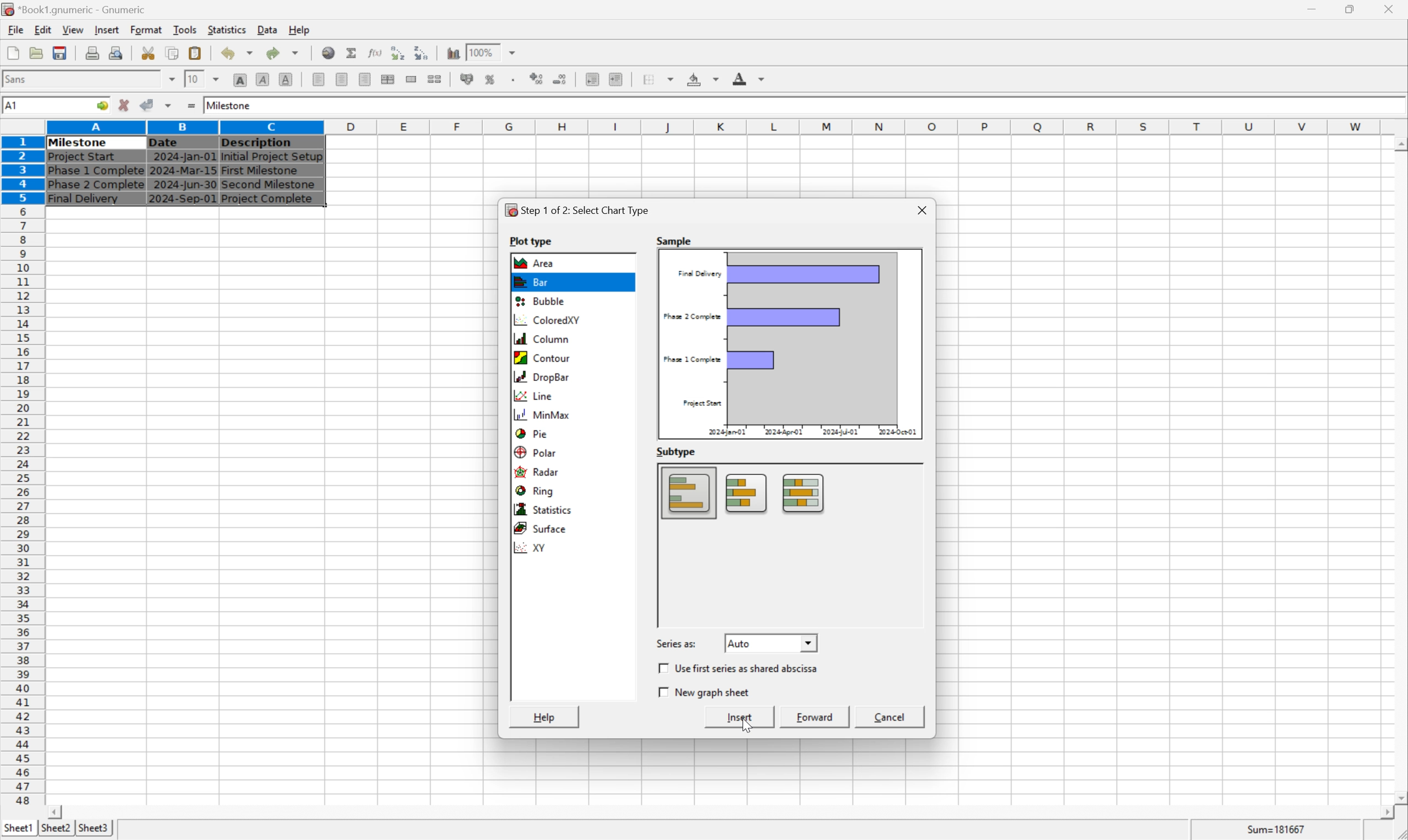  Describe the element at coordinates (15, 30) in the screenshot. I see `file` at that location.